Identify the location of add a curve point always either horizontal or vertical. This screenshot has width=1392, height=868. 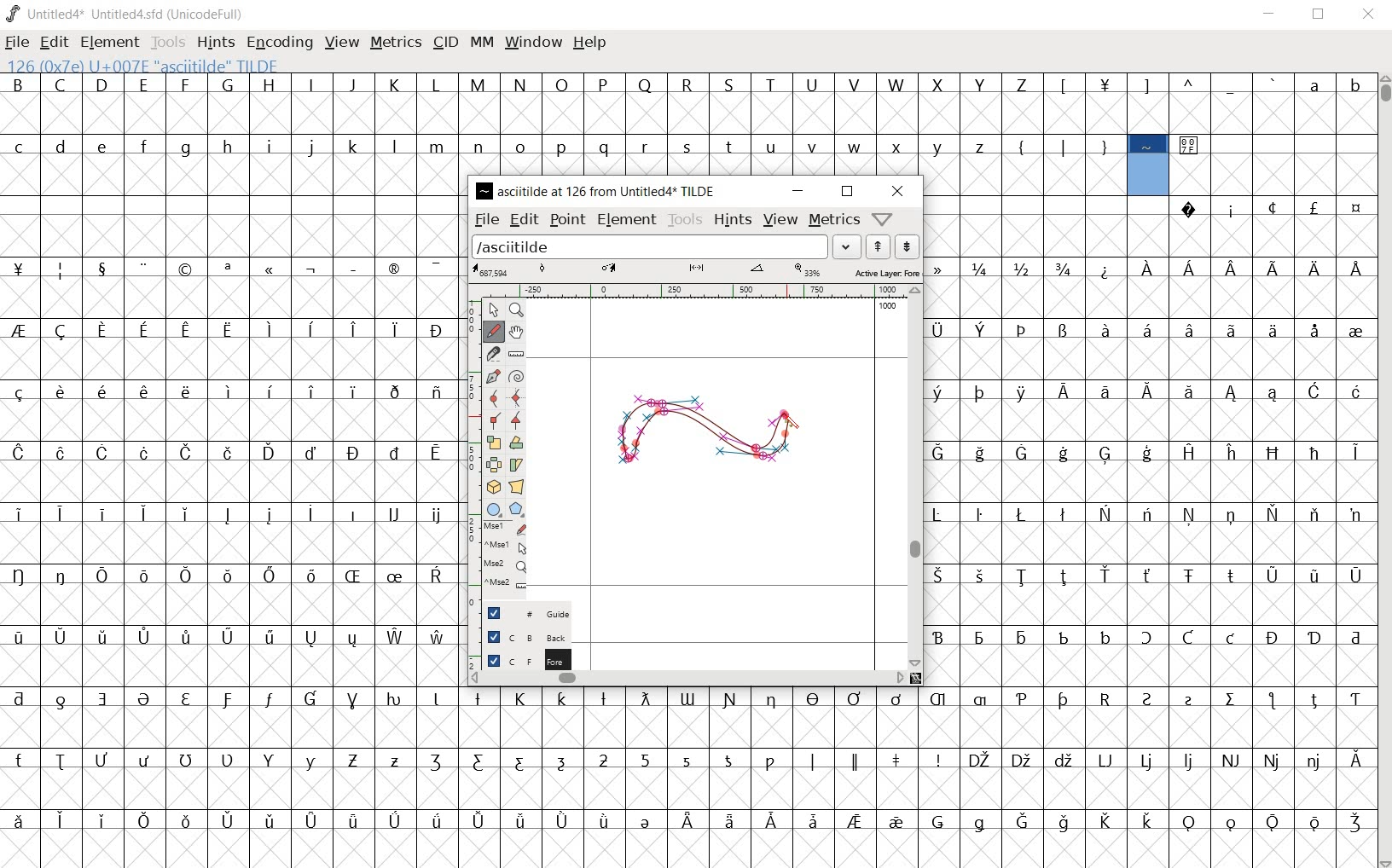
(517, 399).